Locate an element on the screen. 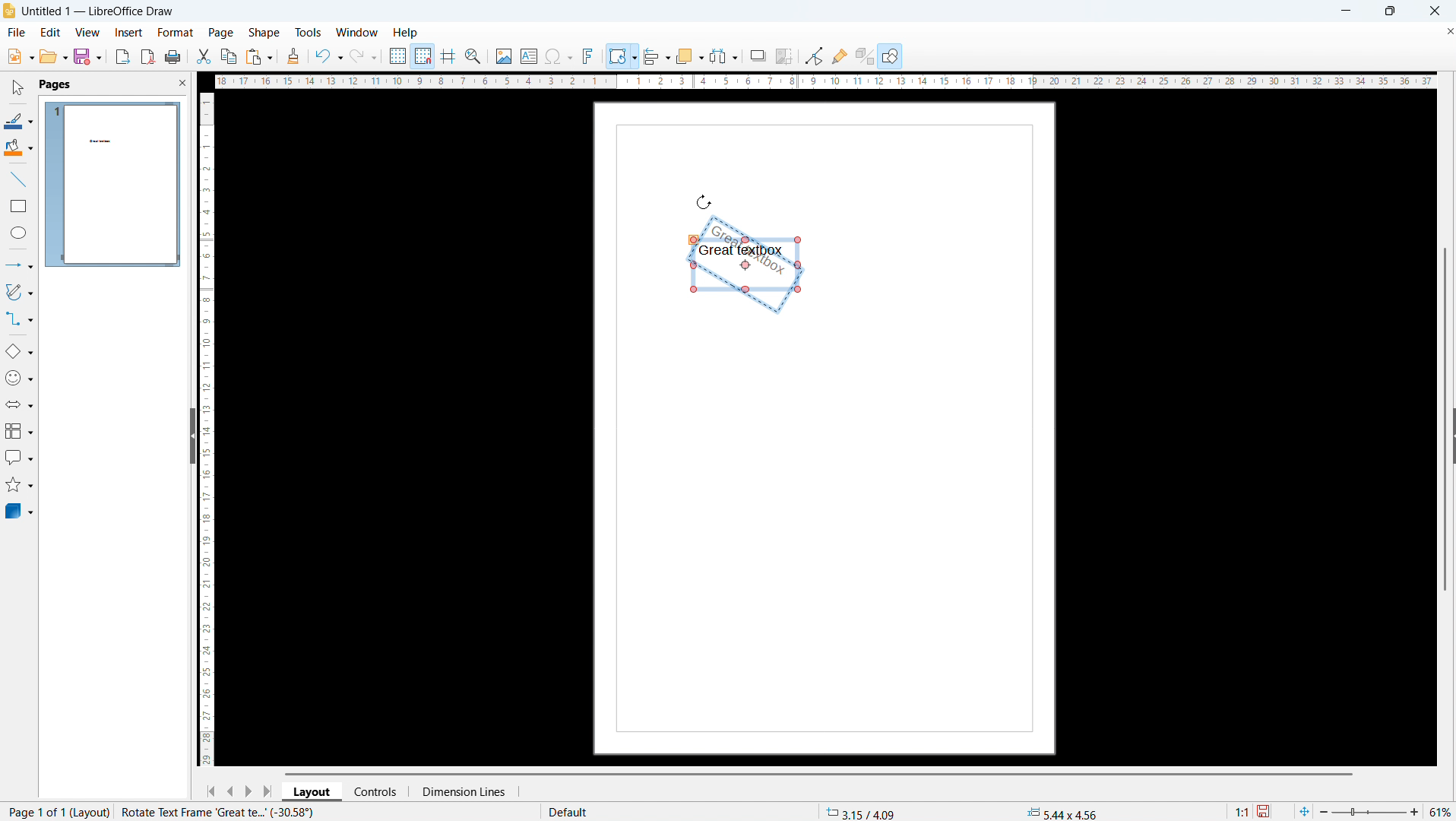 Image resolution: width=1456 pixels, height=821 pixels. undo is located at coordinates (328, 55).